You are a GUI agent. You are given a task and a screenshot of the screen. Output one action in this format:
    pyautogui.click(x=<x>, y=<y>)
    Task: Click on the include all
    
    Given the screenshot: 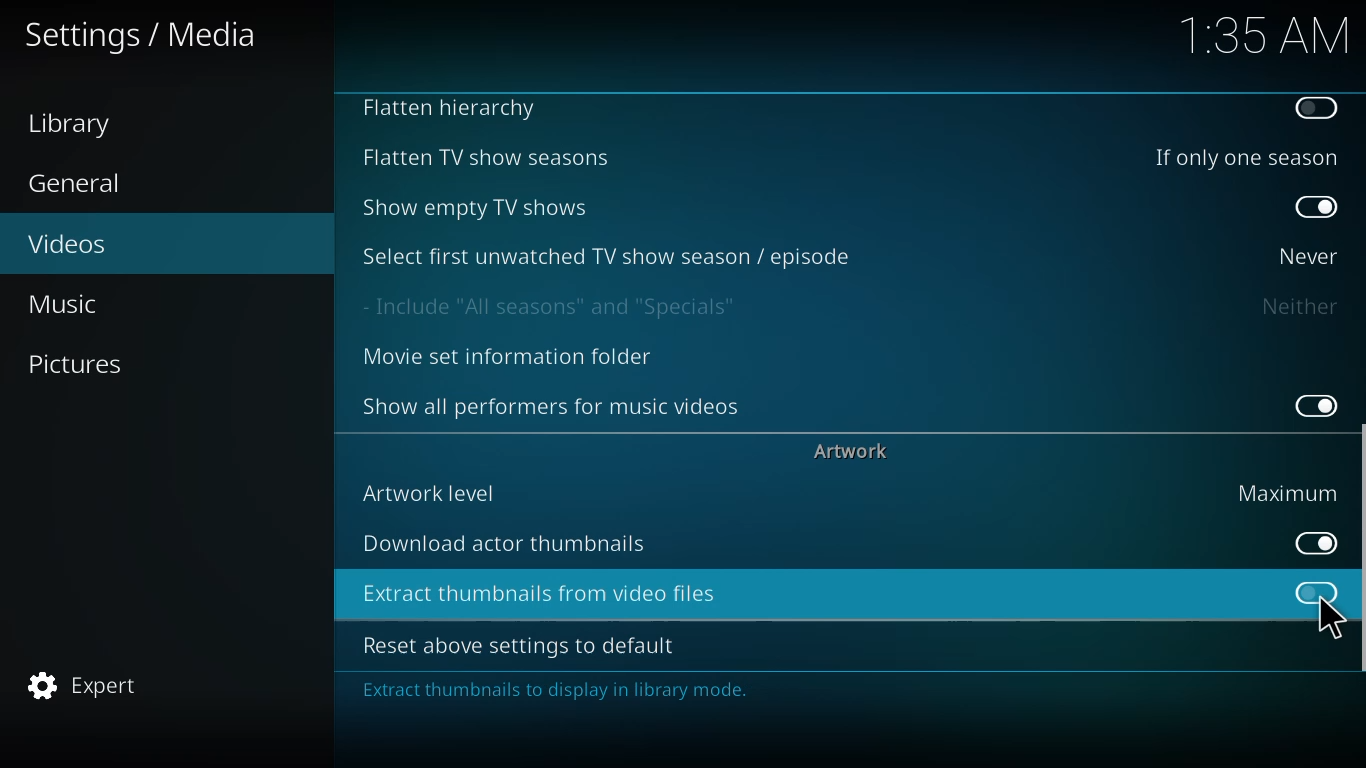 What is the action you would take?
    pyautogui.click(x=557, y=306)
    